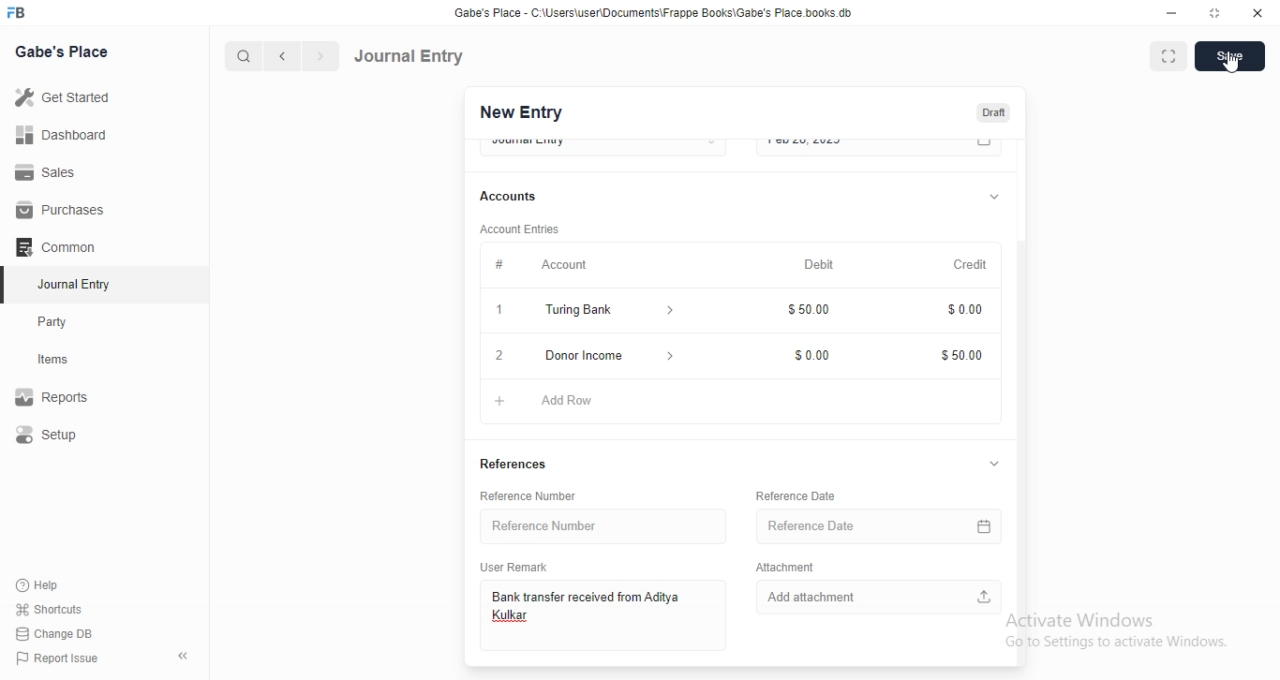 The height and width of the screenshot is (680, 1280). I want to click on close, so click(498, 355).